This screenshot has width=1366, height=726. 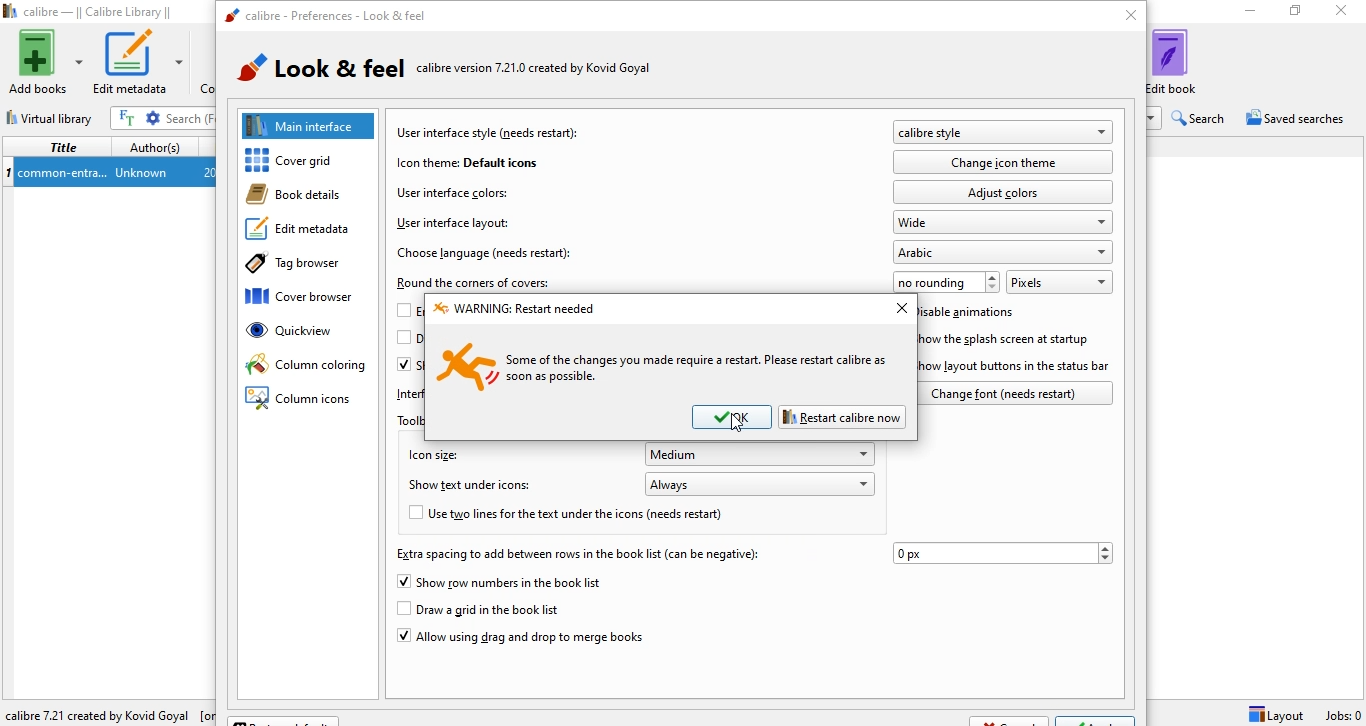 What do you see at coordinates (1201, 118) in the screenshot?
I see `Search` at bounding box center [1201, 118].